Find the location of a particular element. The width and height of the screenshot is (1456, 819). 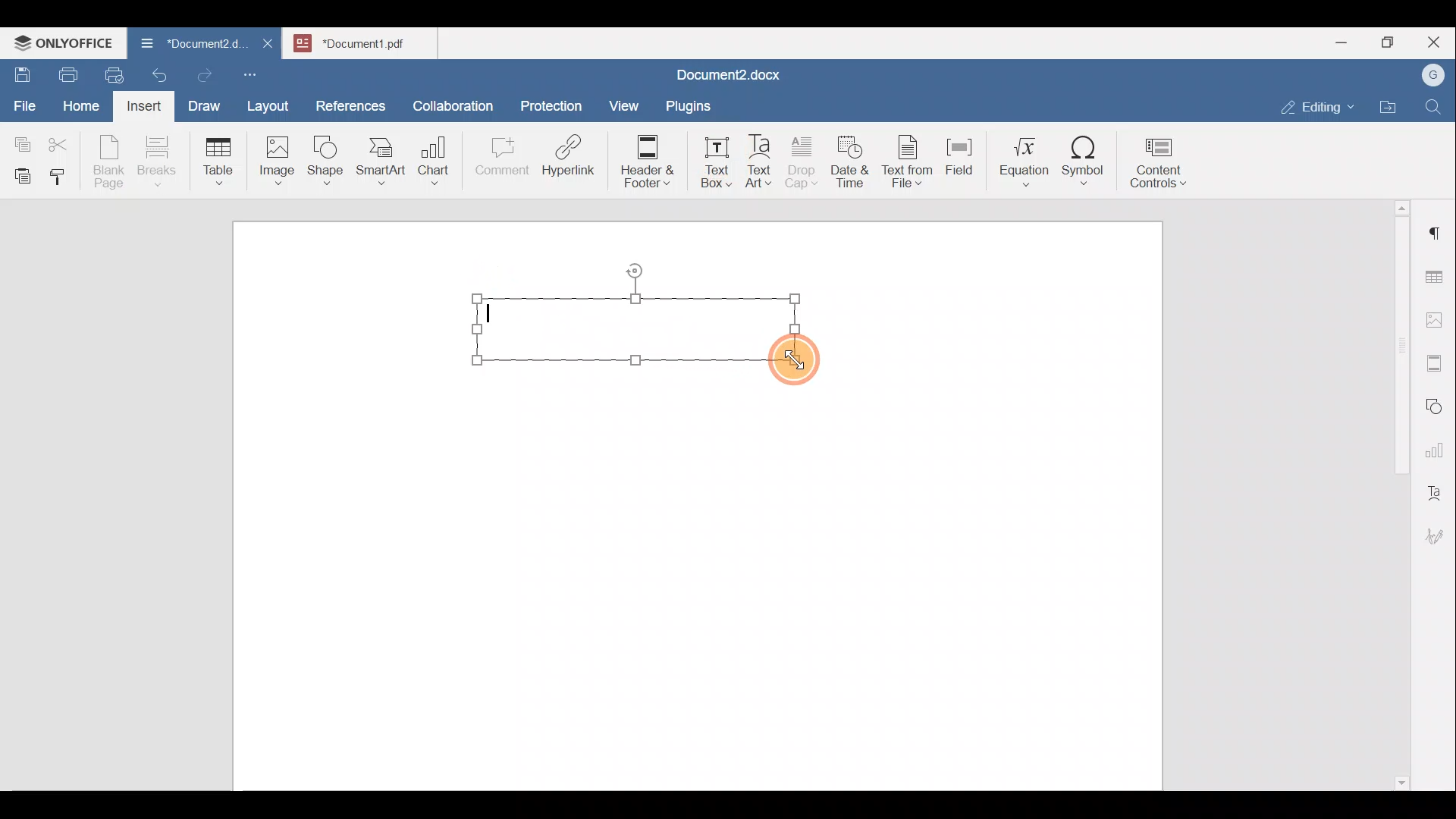

Copy is located at coordinates (20, 140).